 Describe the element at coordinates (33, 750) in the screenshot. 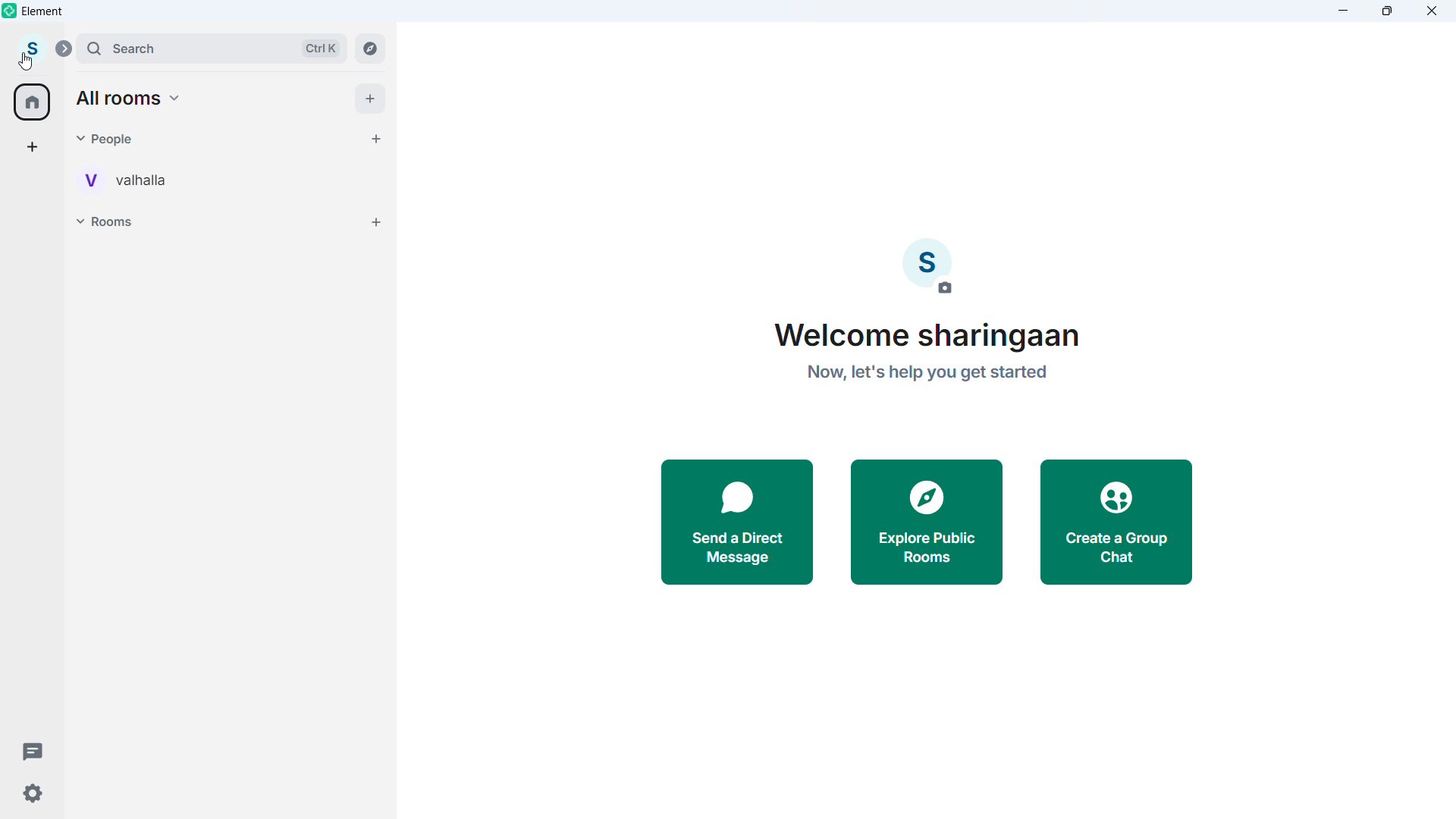

I see `Threads ` at that location.